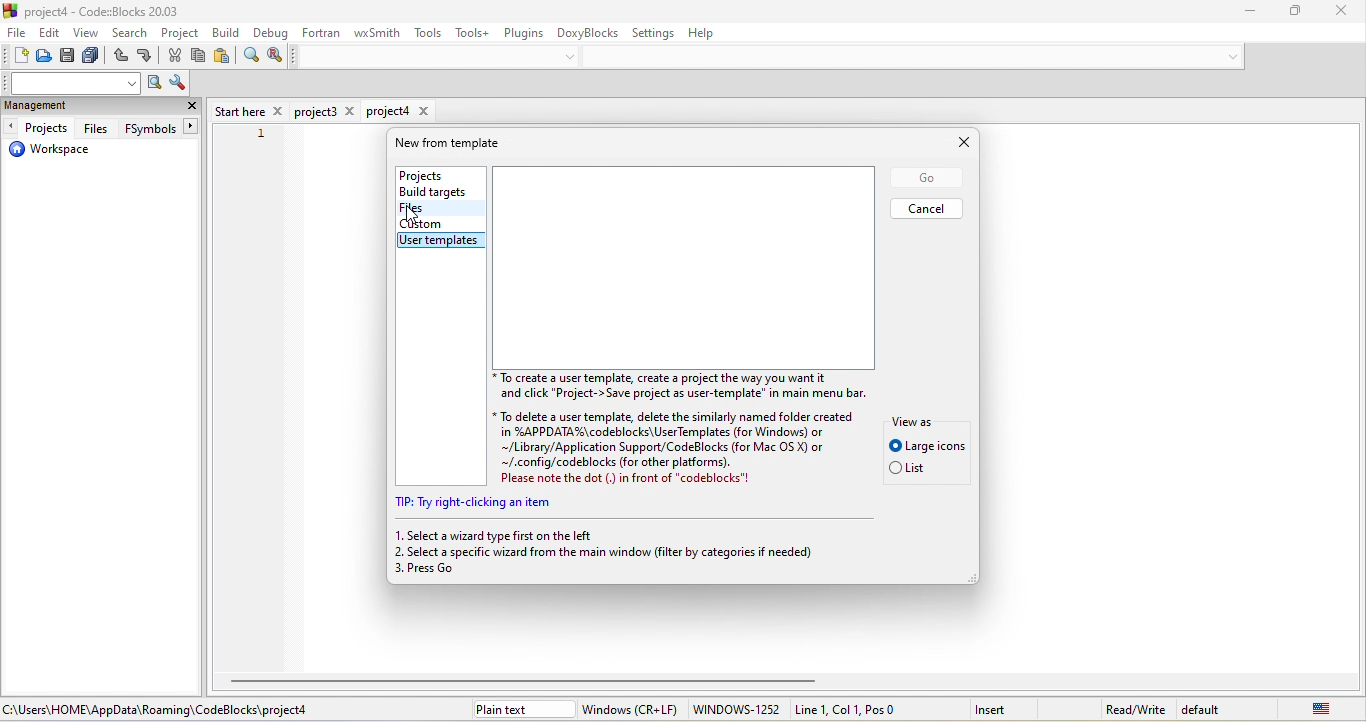  I want to click on replace, so click(275, 56).